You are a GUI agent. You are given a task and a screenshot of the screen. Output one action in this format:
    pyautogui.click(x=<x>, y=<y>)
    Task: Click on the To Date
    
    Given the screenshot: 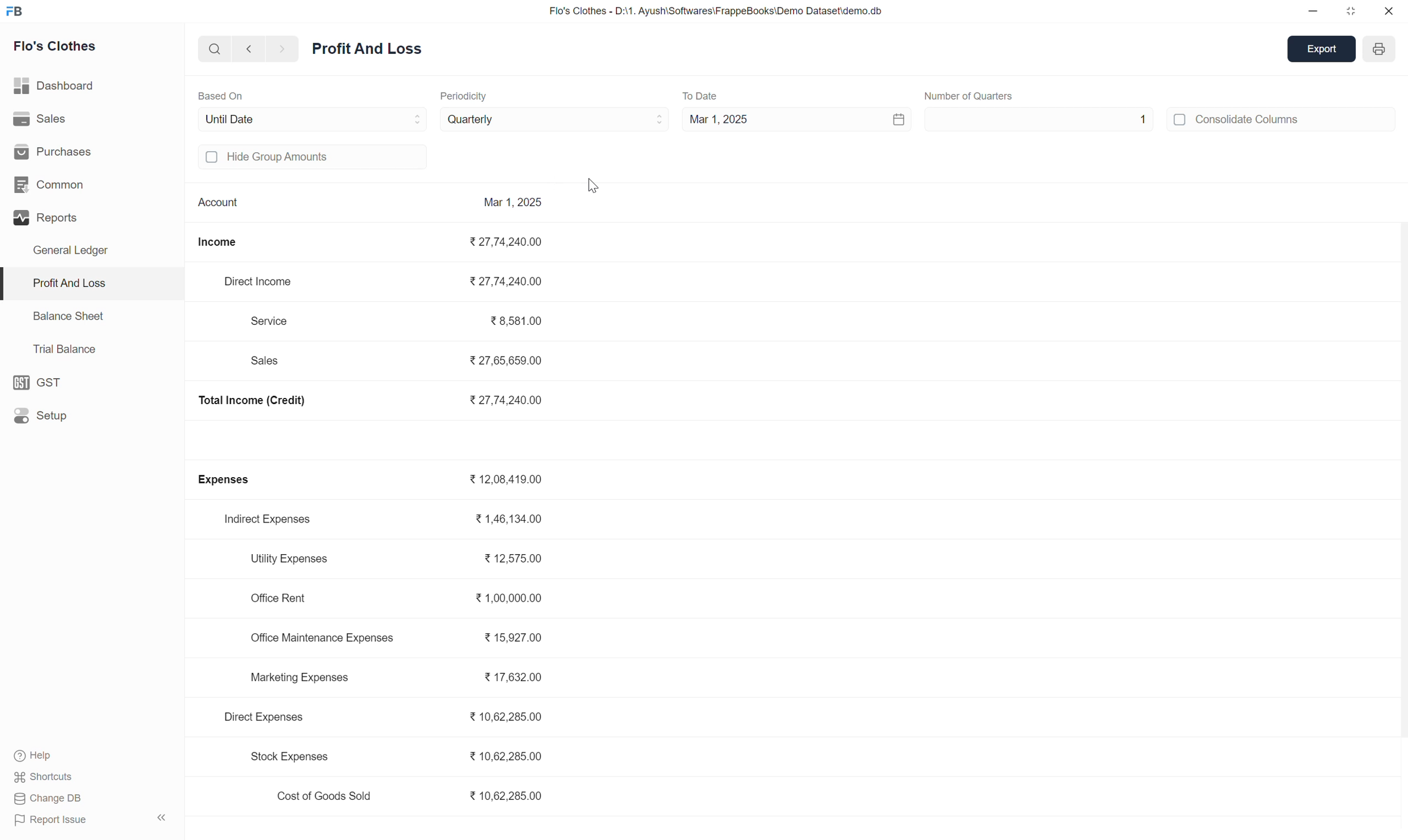 What is the action you would take?
    pyautogui.click(x=704, y=93)
    